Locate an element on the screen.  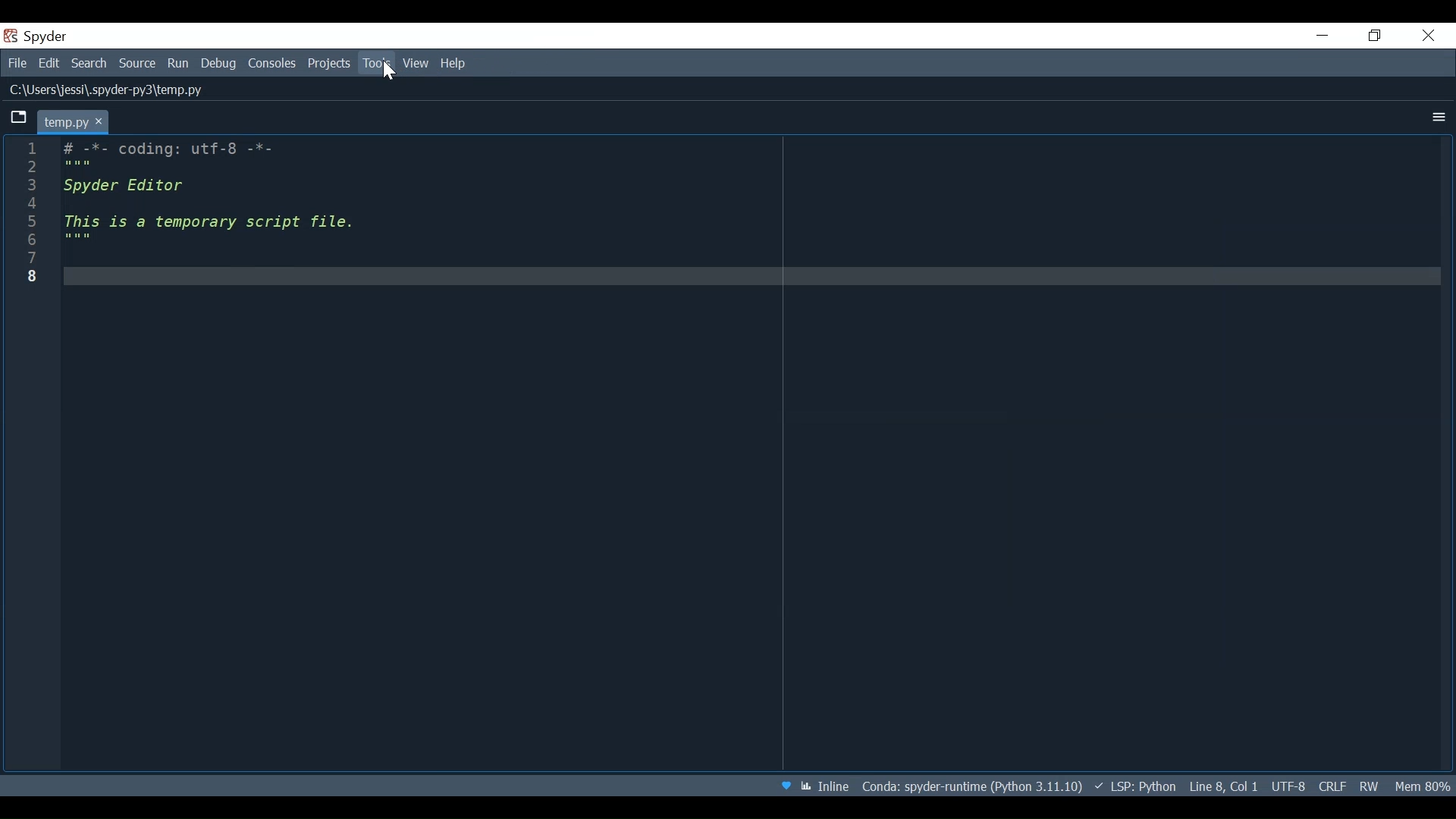
Minimize is located at coordinates (1323, 35).